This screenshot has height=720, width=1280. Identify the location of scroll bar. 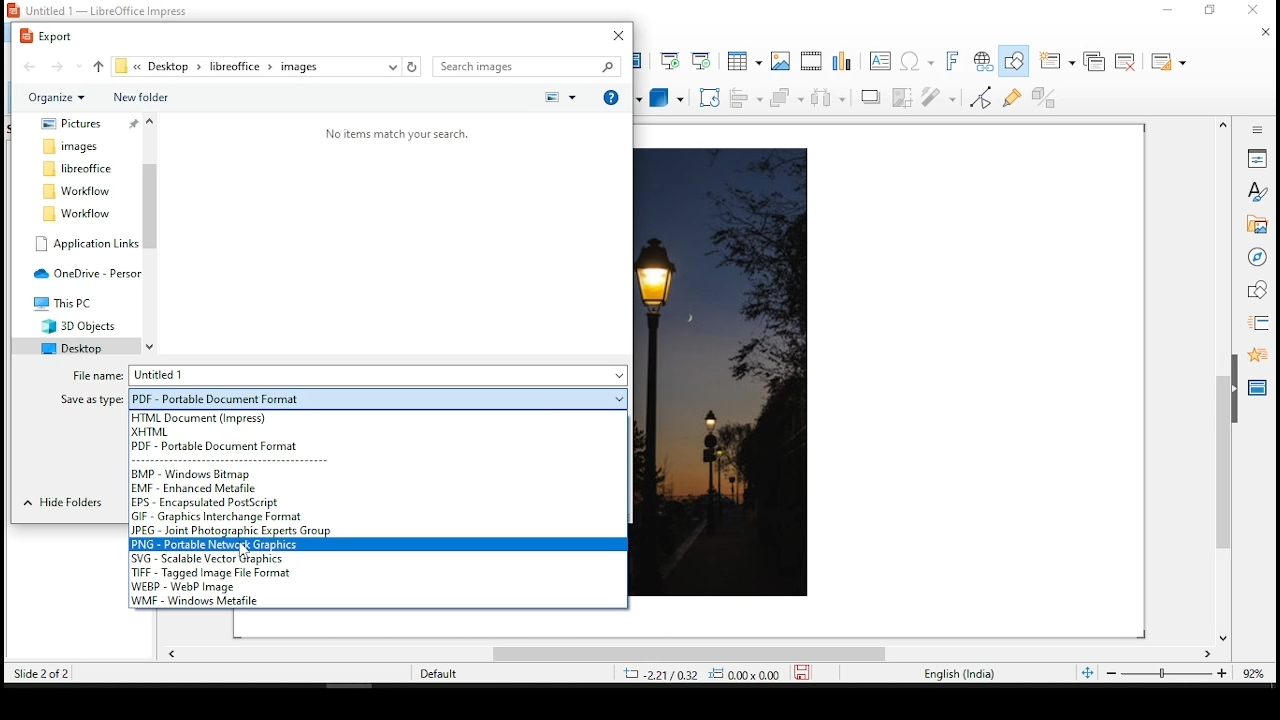
(686, 657).